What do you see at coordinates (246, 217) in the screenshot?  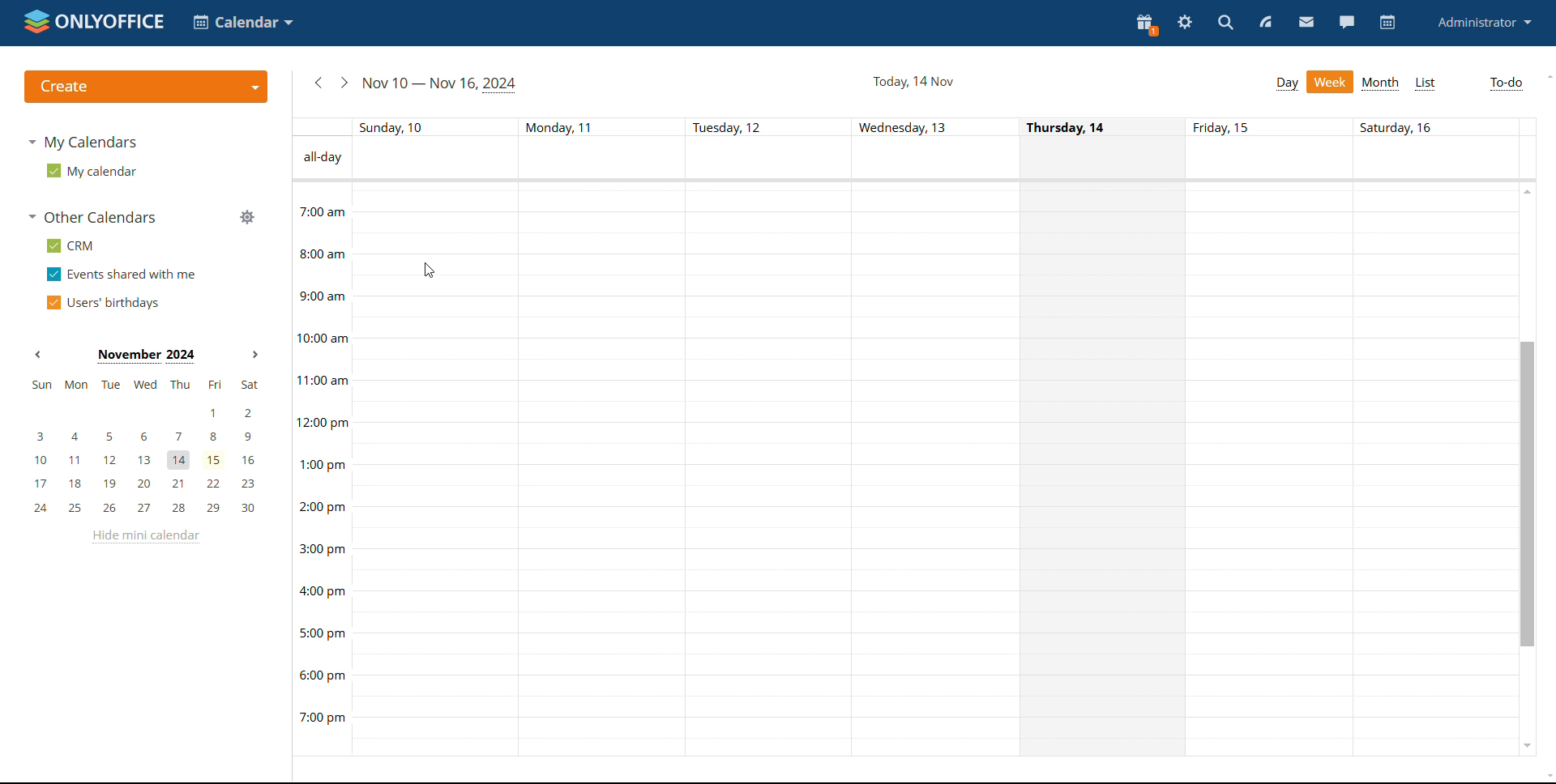 I see `manage` at bounding box center [246, 217].